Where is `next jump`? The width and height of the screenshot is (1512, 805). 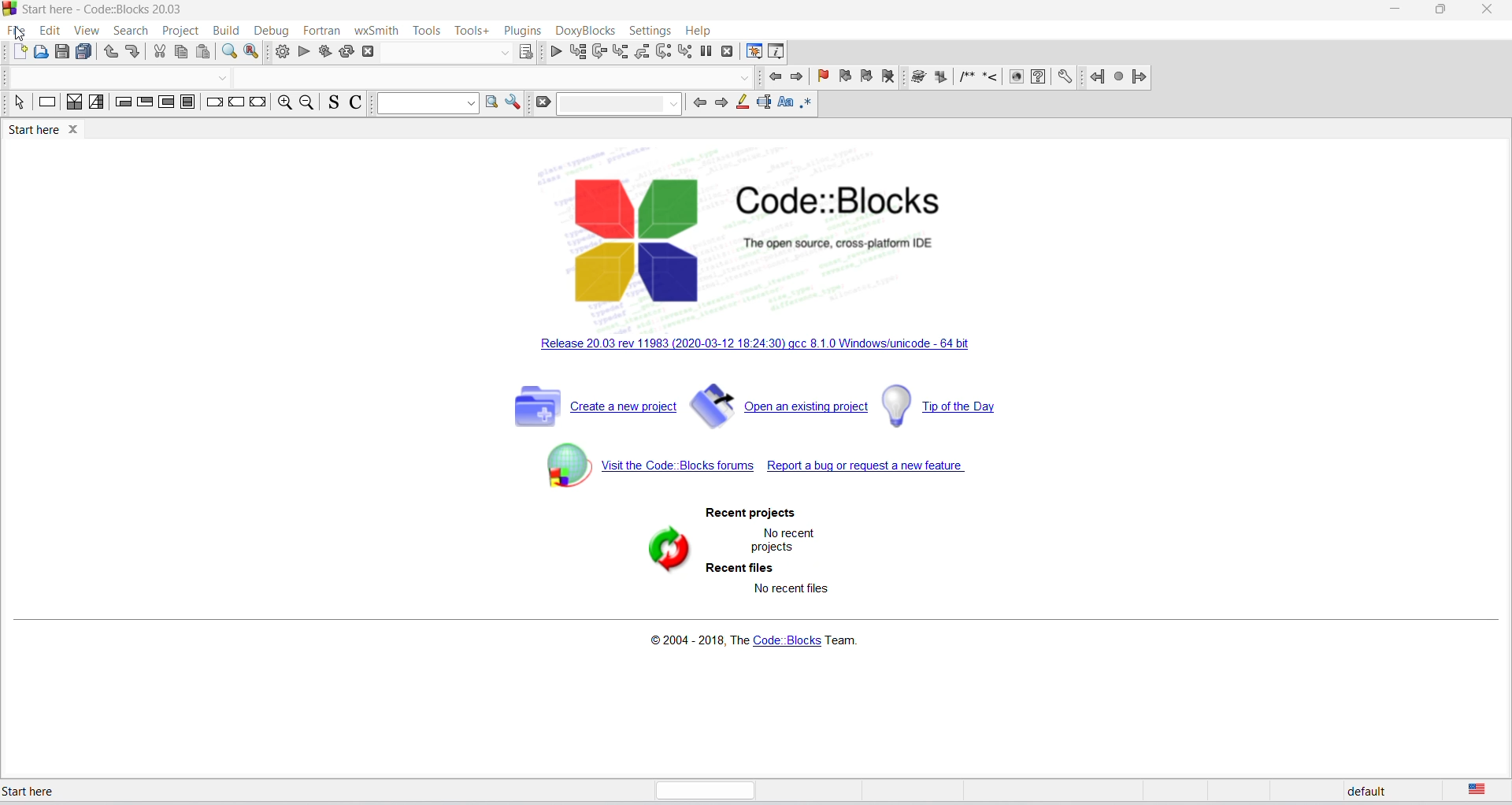 next jump is located at coordinates (1117, 78).